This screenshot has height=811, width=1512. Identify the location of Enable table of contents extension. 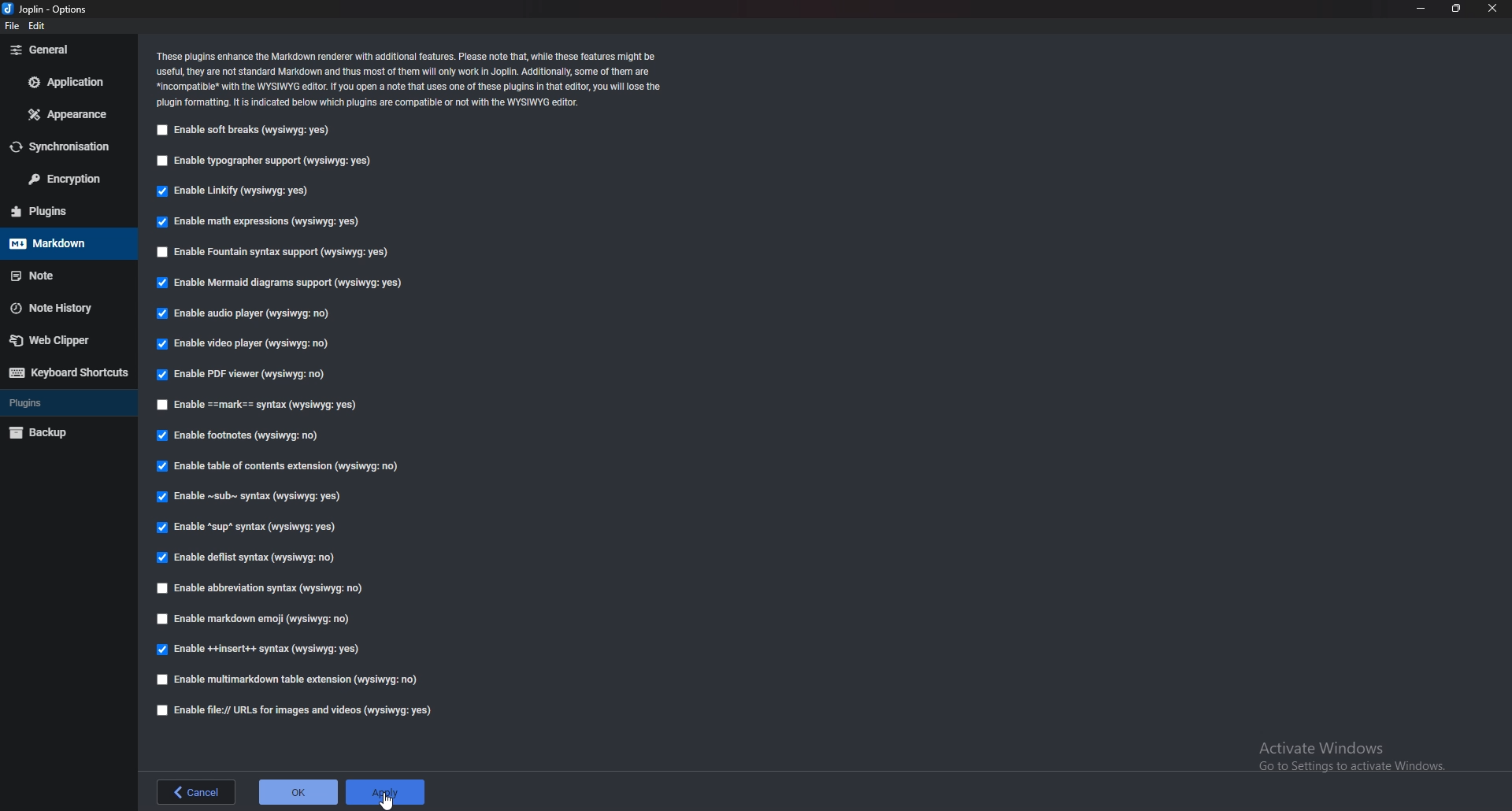
(278, 469).